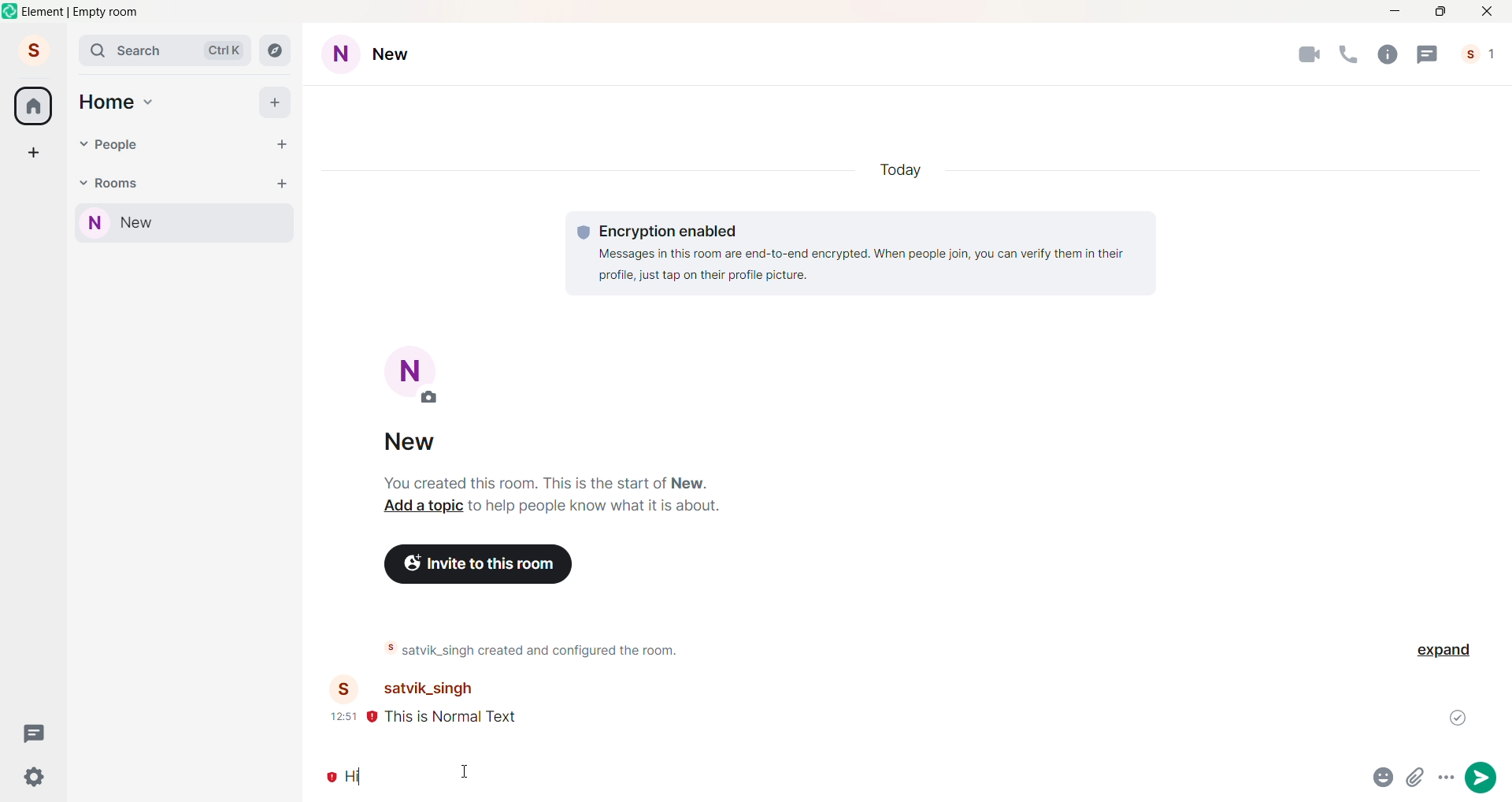  What do you see at coordinates (1416, 778) in the screenshot?
I see `attachments` at bounding box center [1416, 778].